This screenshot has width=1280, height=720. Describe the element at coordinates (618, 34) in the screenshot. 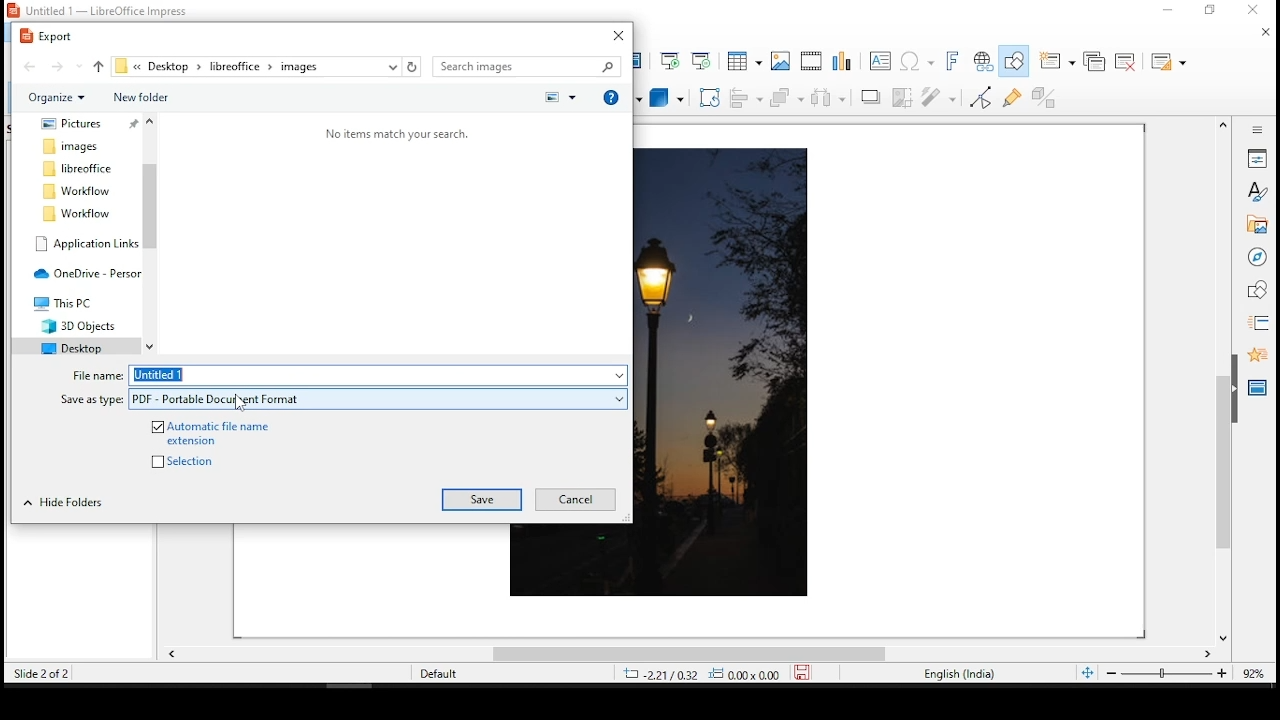

I see `close window` at that location.